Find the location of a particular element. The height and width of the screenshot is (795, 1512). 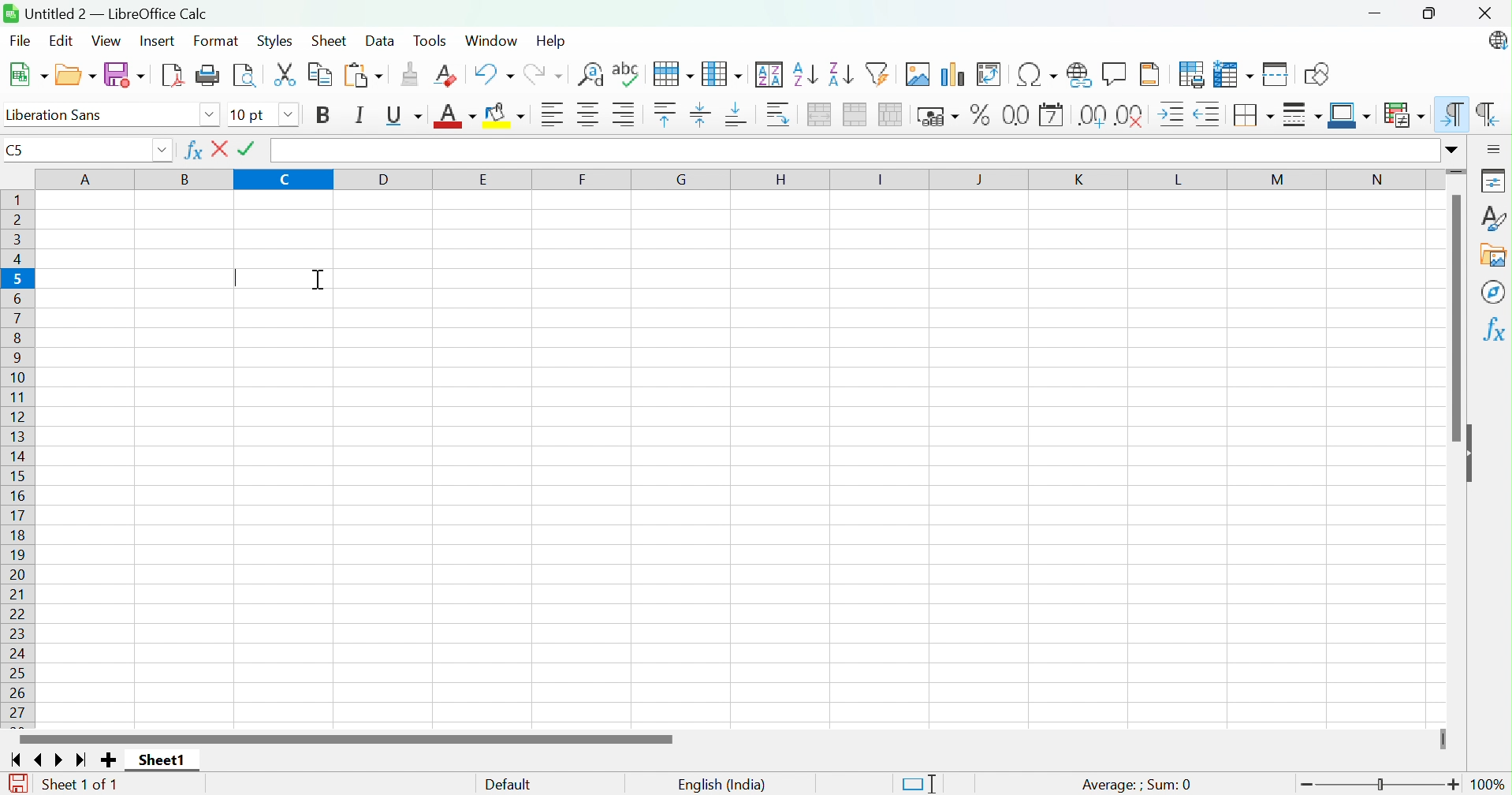

Show draw functions is located at coordinates (1315, 75).